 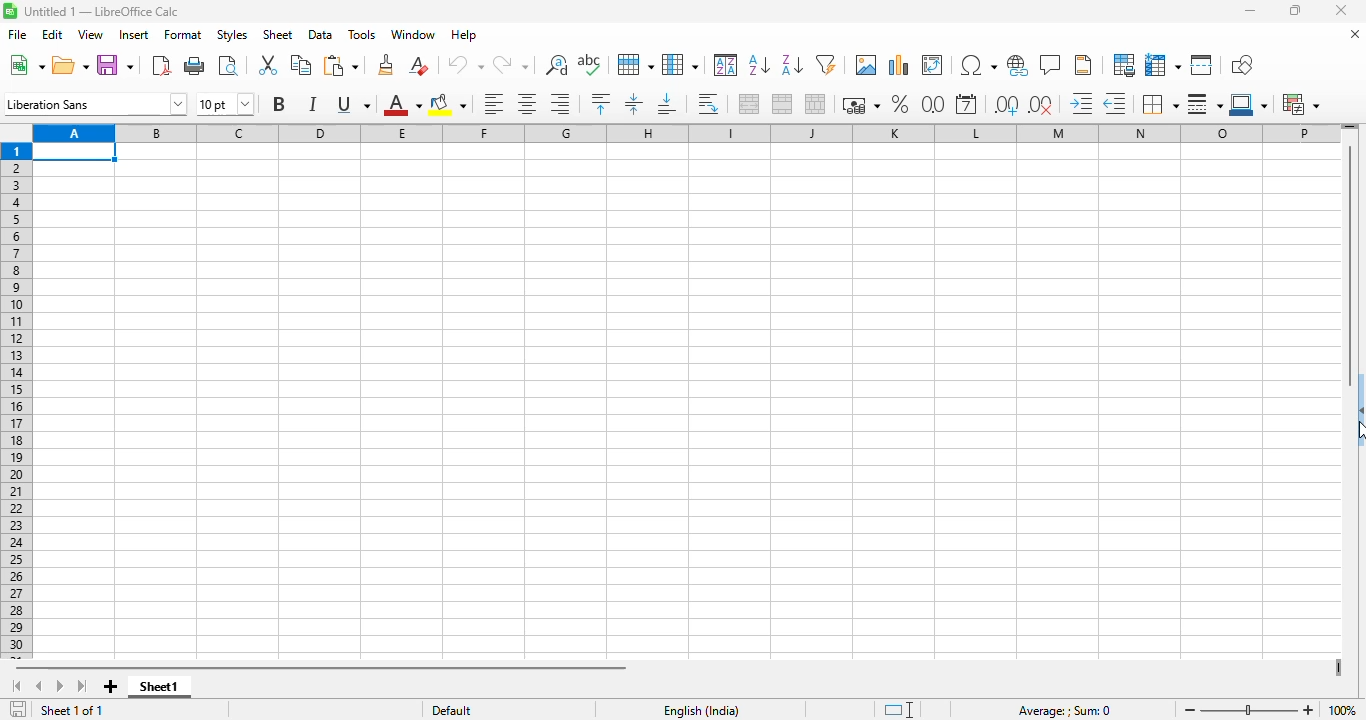 I want to click on center vertically, so click(x=634, y=104).